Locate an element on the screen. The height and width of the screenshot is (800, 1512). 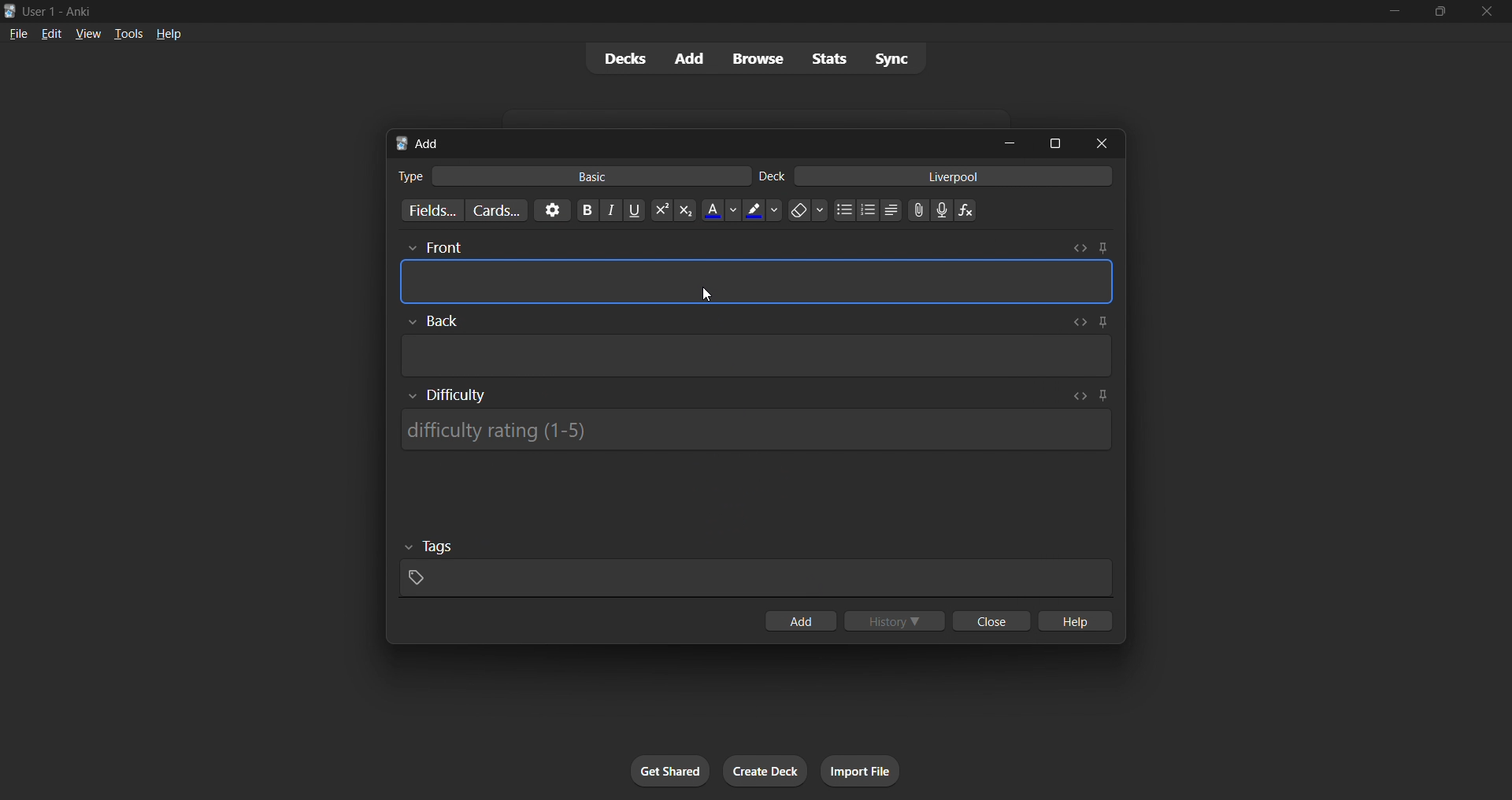
add title bar is located at coordinates (428, 143).